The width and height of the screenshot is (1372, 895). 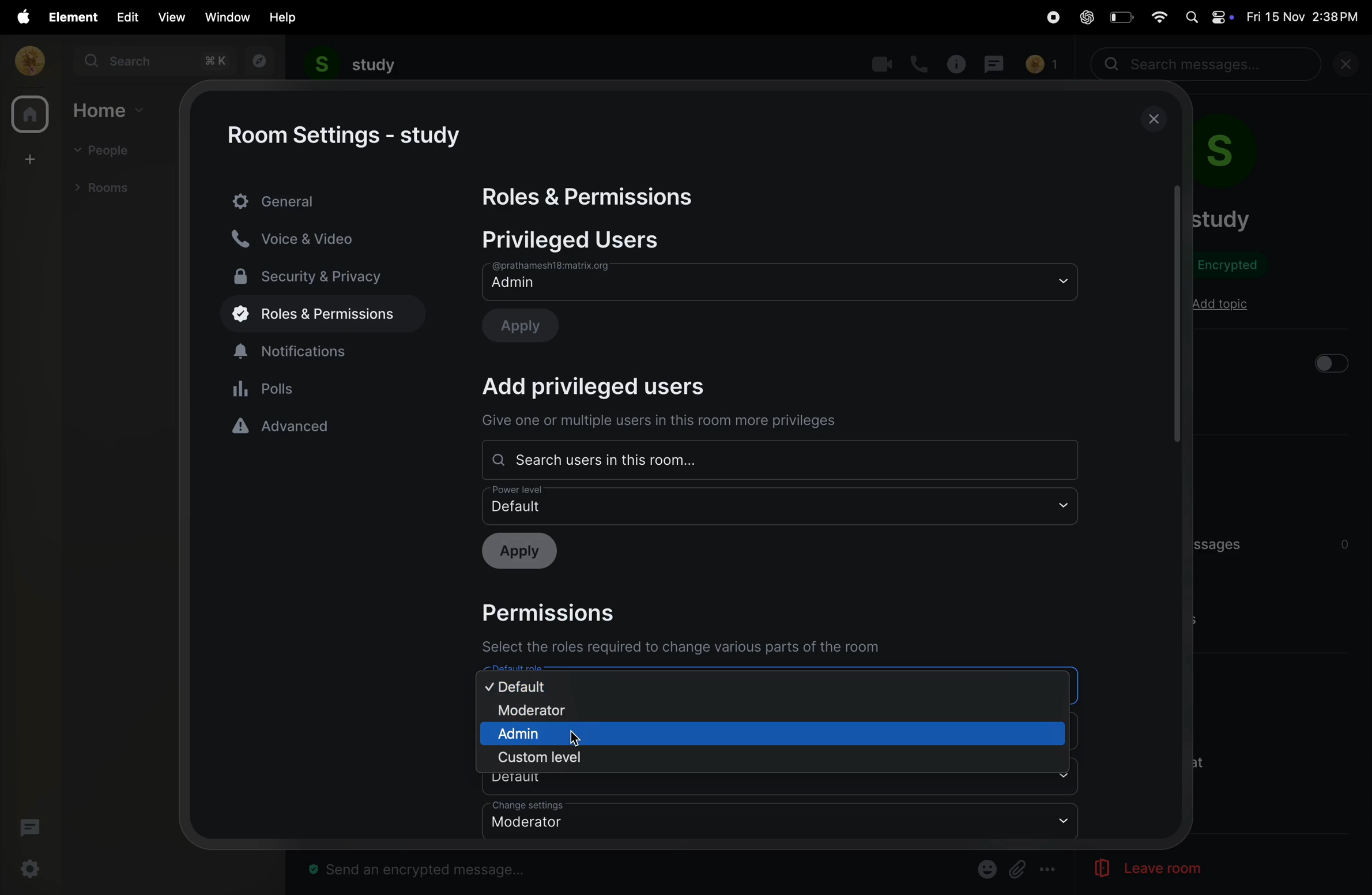 What do you see at coordinates (879, 64) in the screenshot?
I see `video call` at bounding box center [879, 64].